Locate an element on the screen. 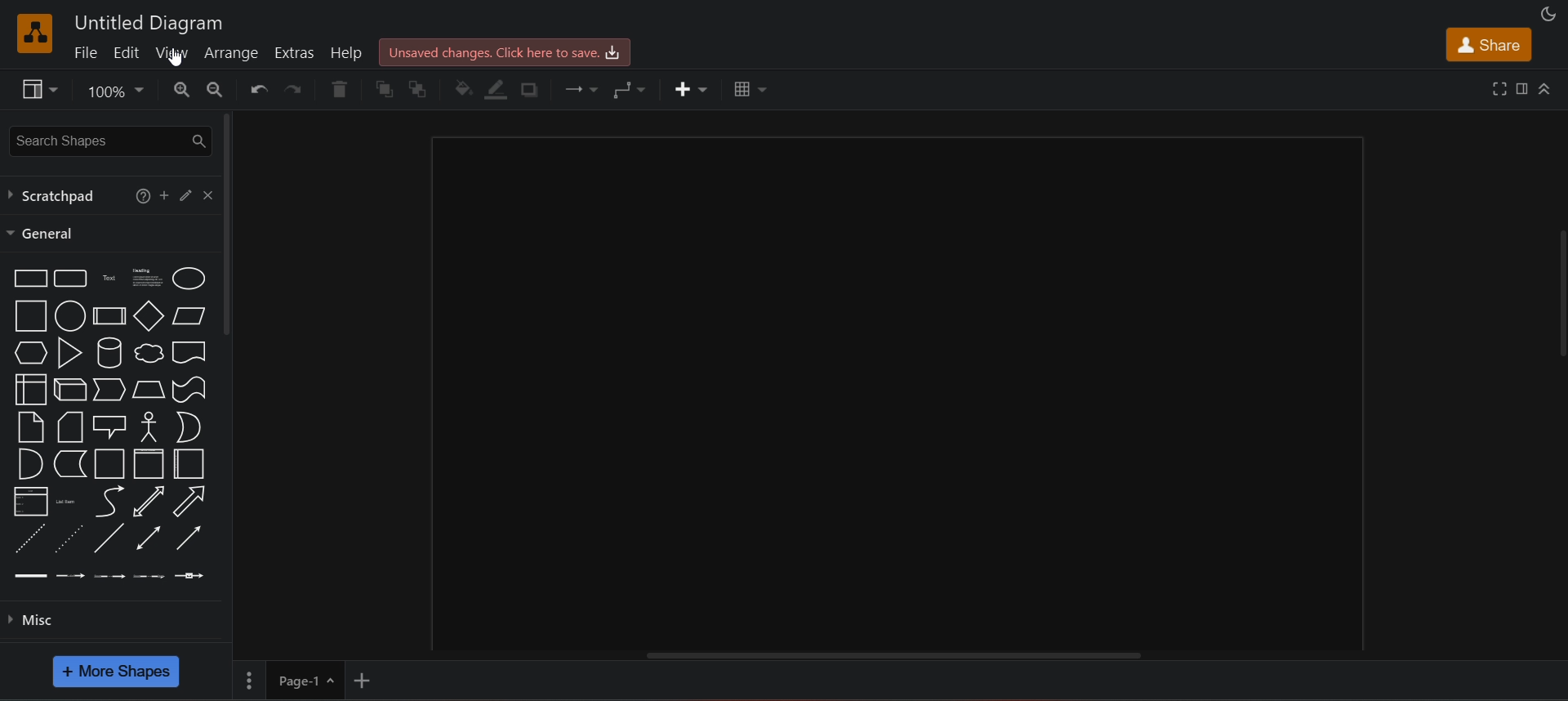 The height and width of the screenshot is (701, 1568). linecolor is located at coordinates (498, 90).